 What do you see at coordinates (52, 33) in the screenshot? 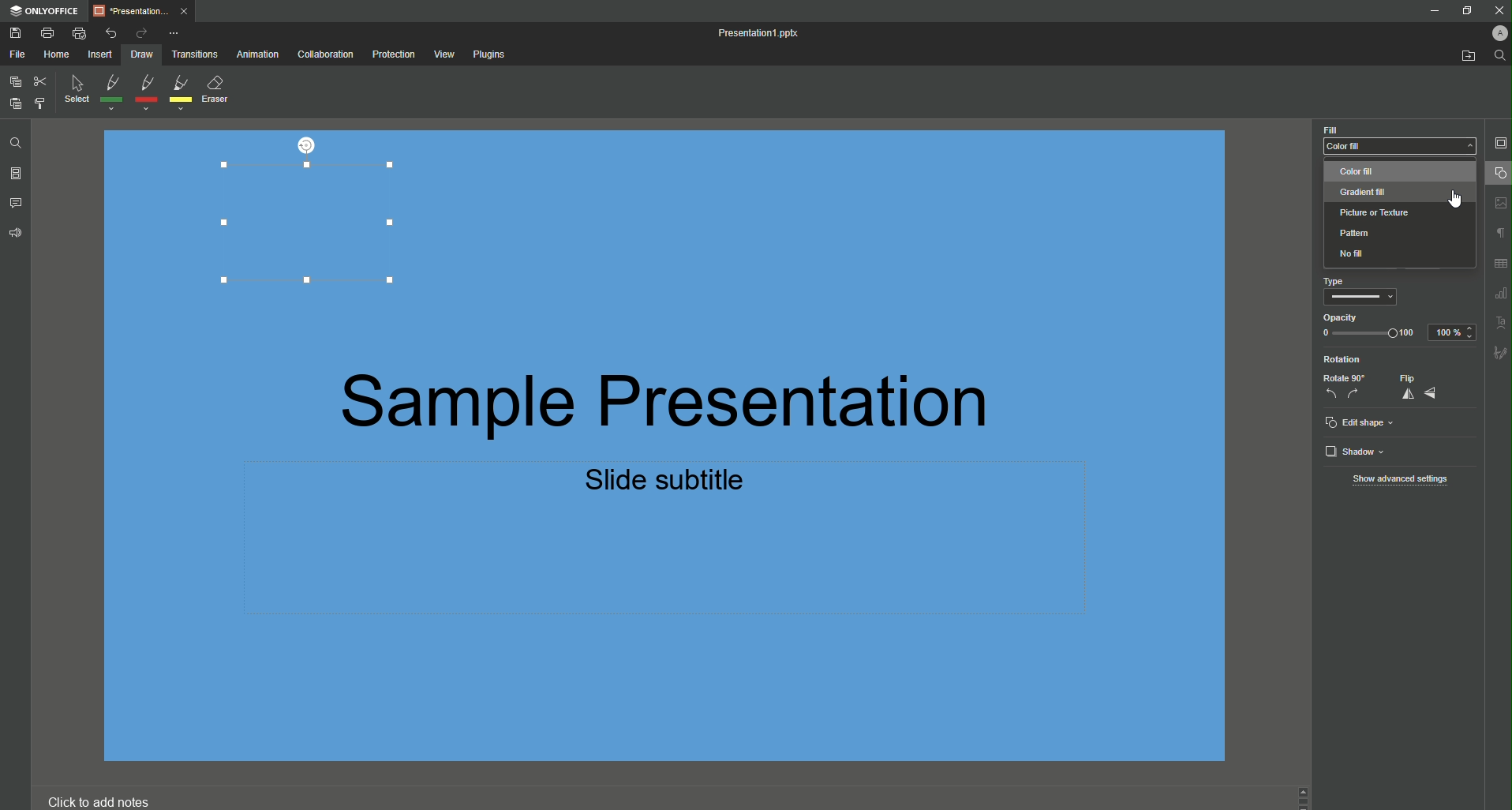
I see `Print` at bounding box center [52, 33].